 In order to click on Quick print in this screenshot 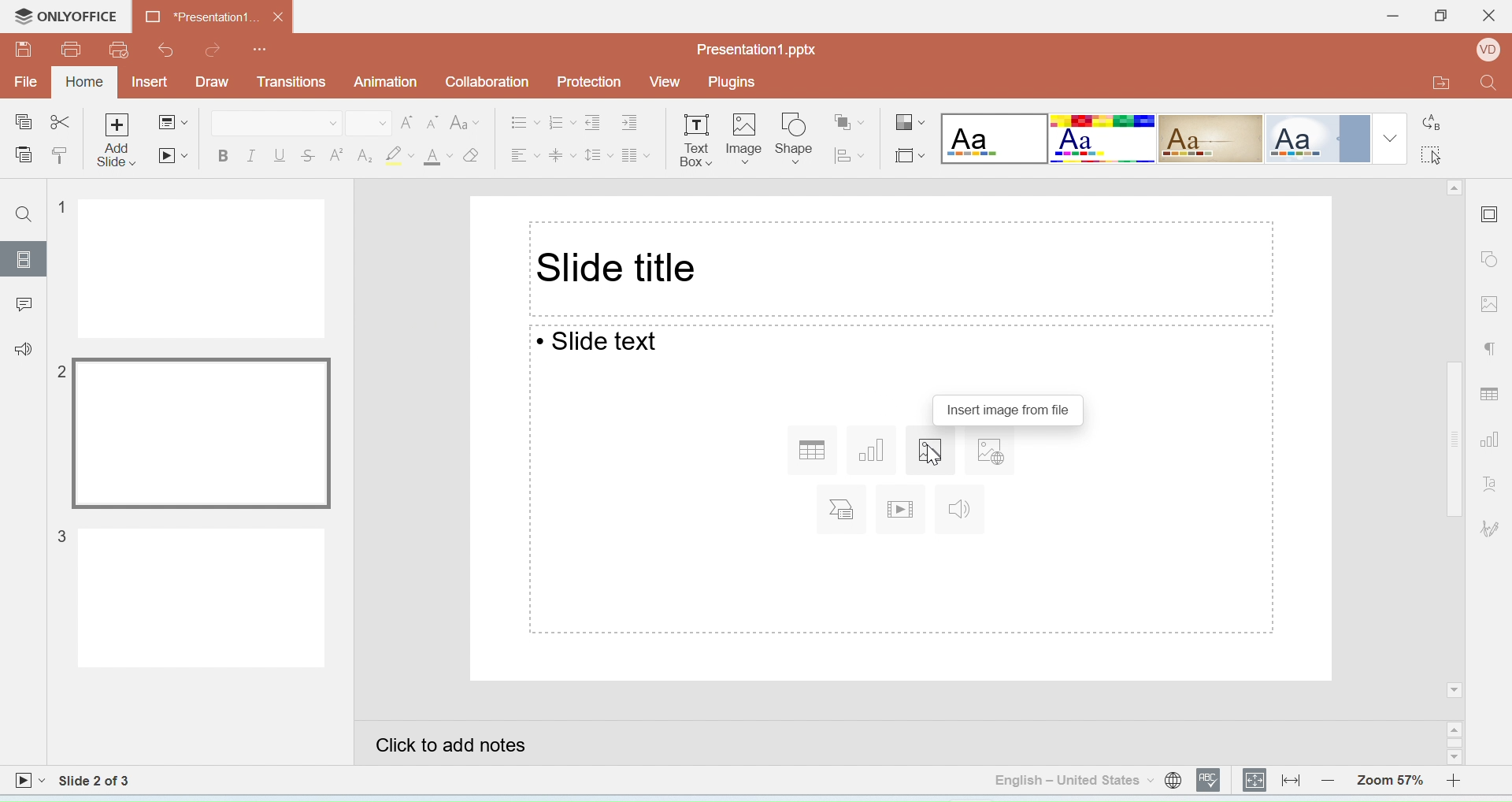, I will do `click(119, 51)`.